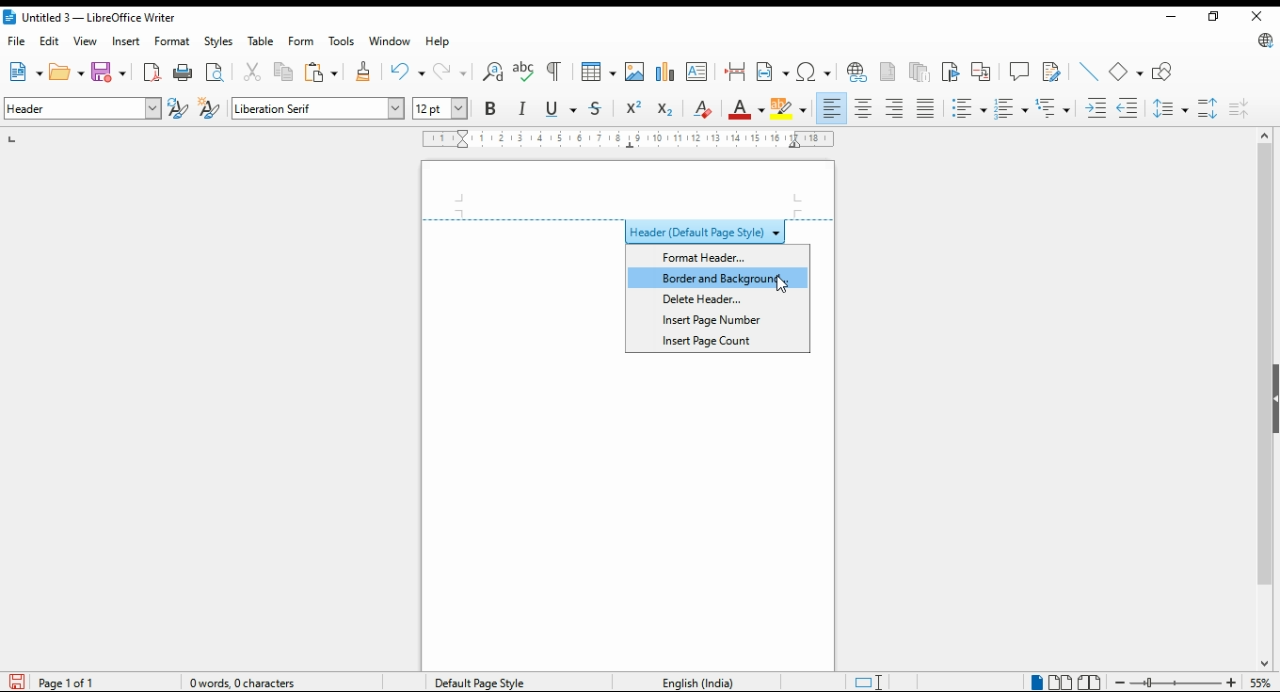  What do you see at coordinates (720, 341) in the screenshot?
I see `insert page count` at bounding box center [720, 341].